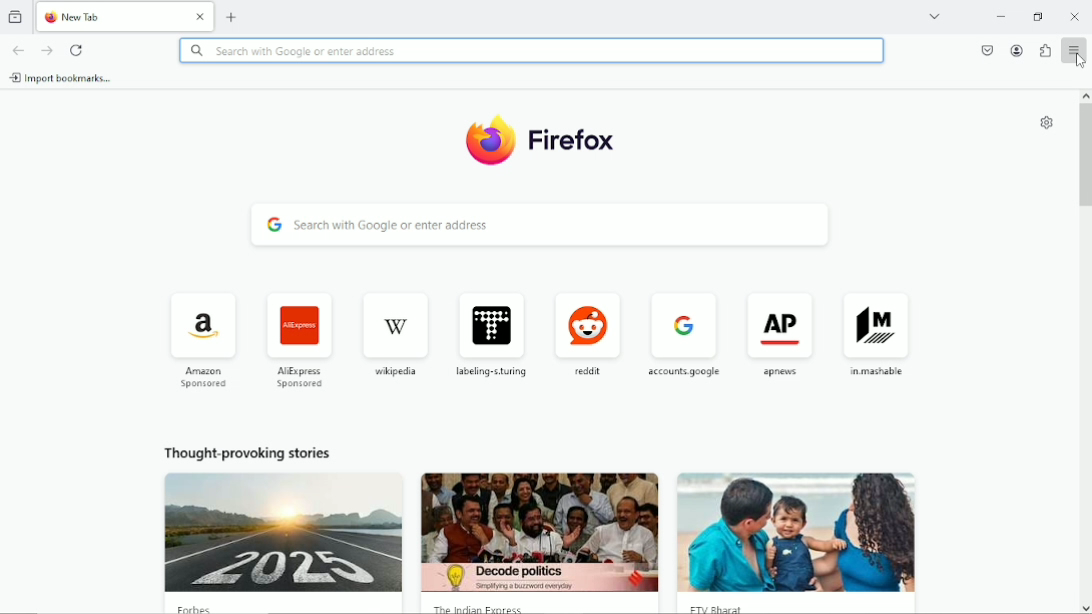  I want to click on the indian express image, so click(541, 530).